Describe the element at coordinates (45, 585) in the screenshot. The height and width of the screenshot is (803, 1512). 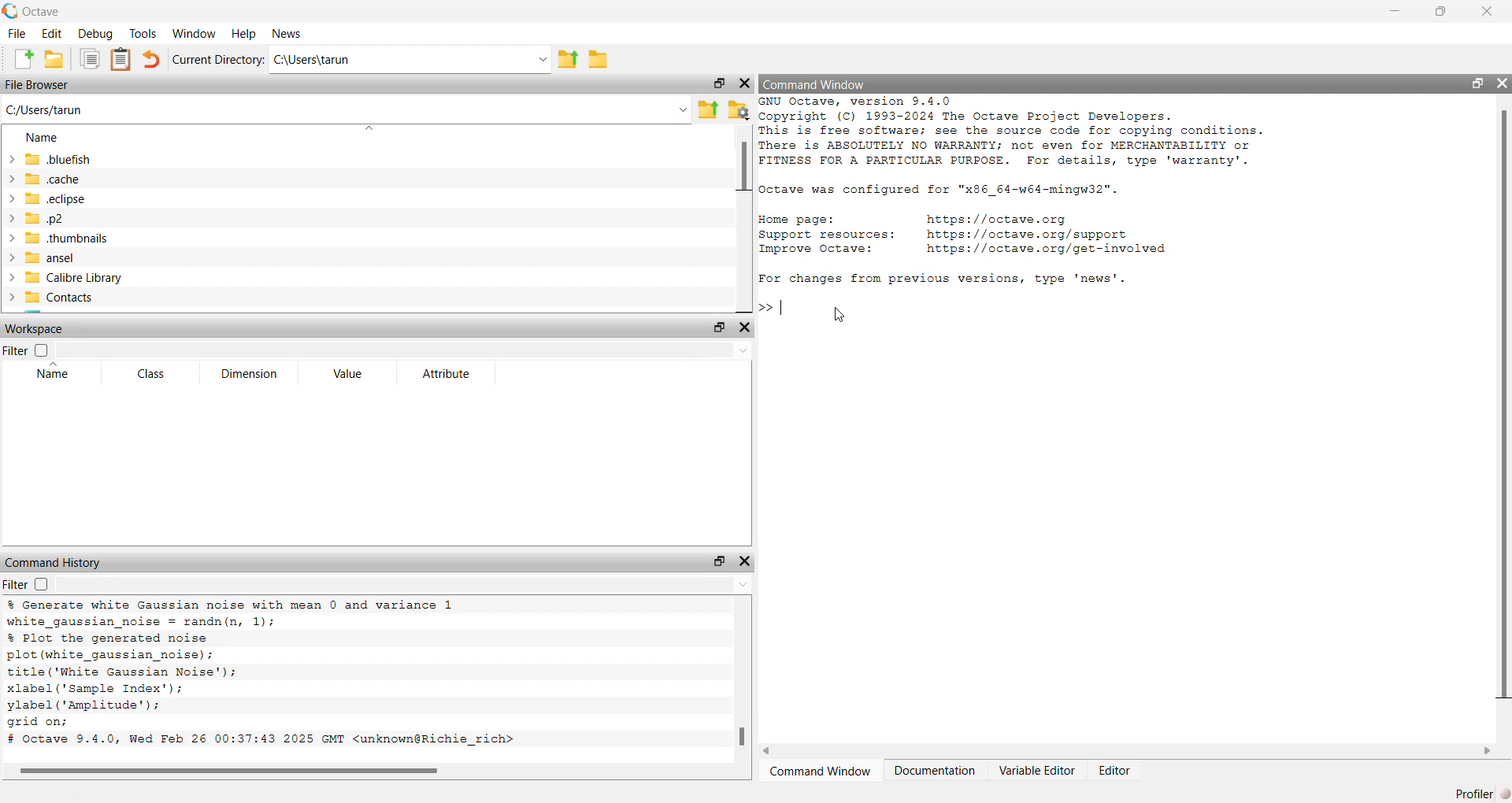
I see `checkbox` at that location.